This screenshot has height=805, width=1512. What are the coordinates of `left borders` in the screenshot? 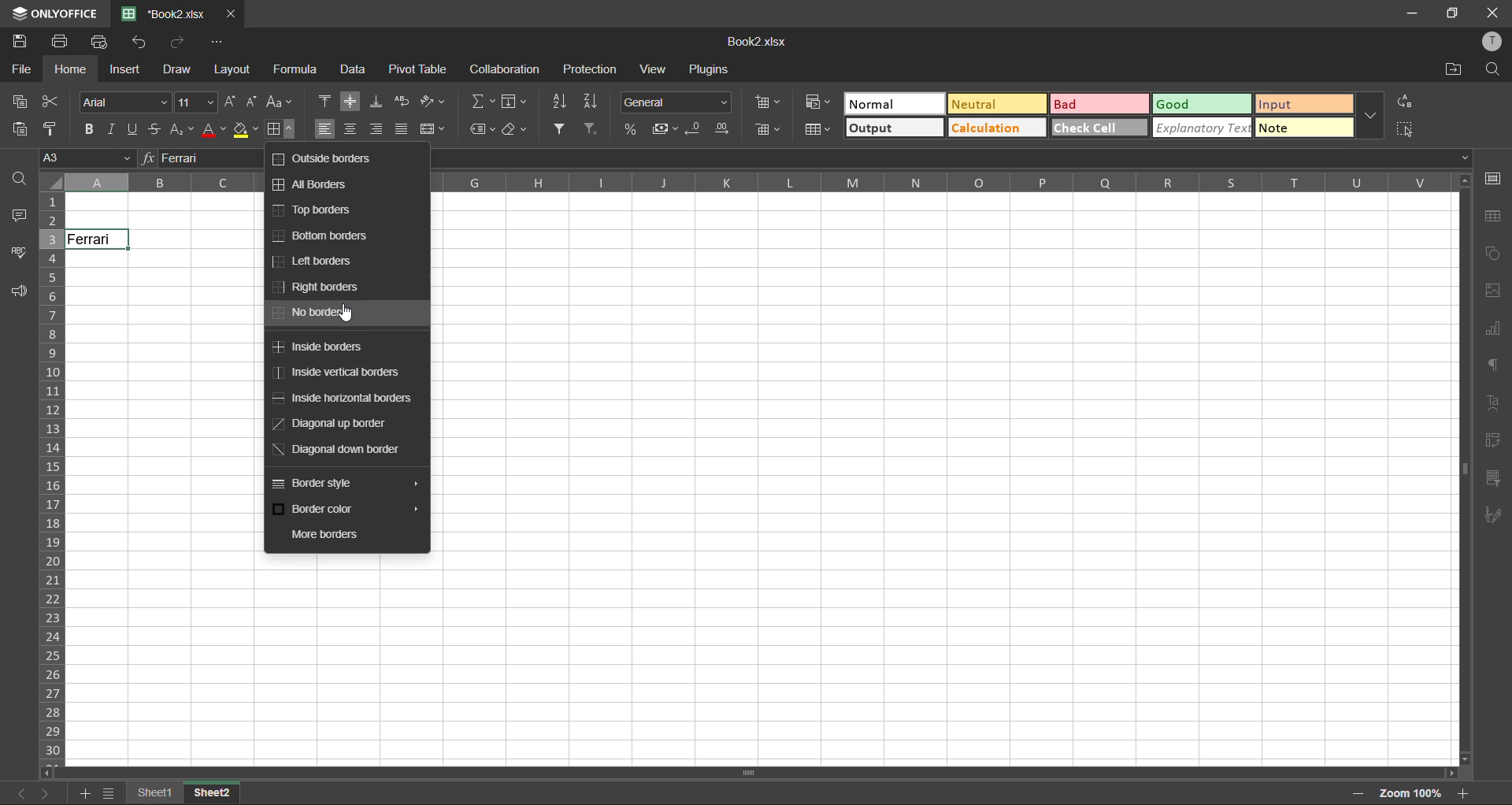 It's located at (314, 262).